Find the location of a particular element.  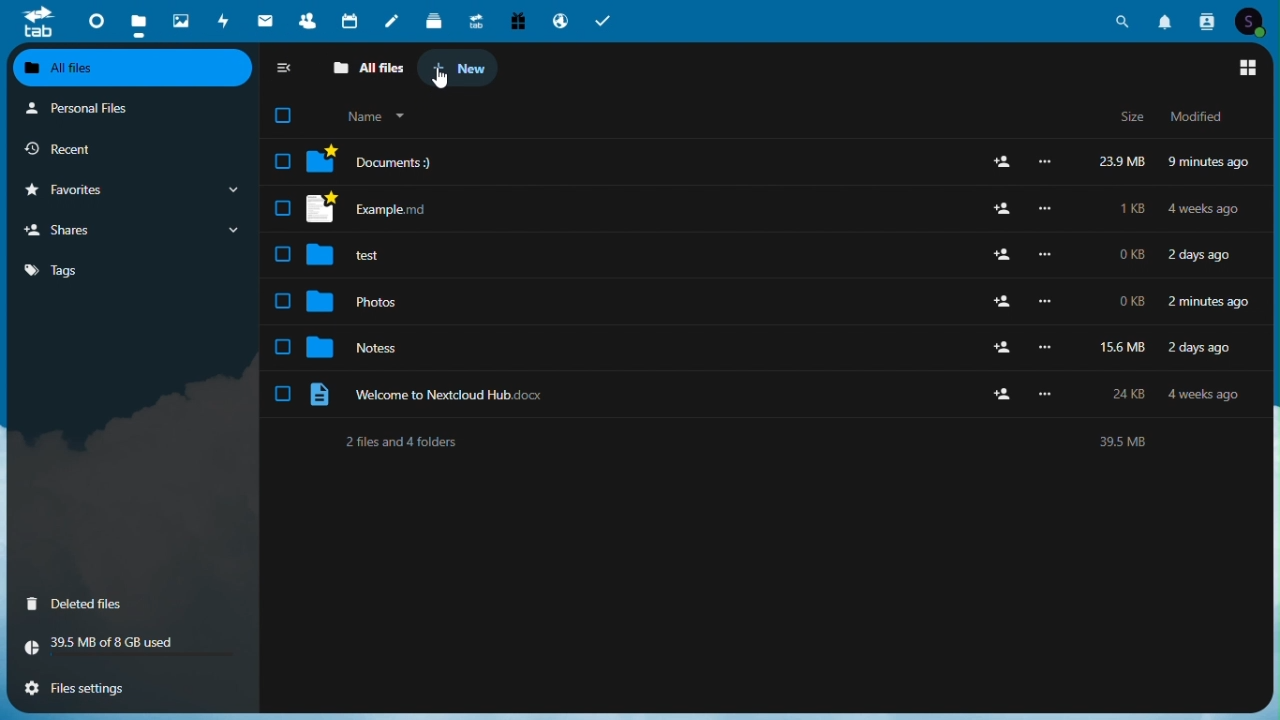

File settings is located at coordinates (121, 689).